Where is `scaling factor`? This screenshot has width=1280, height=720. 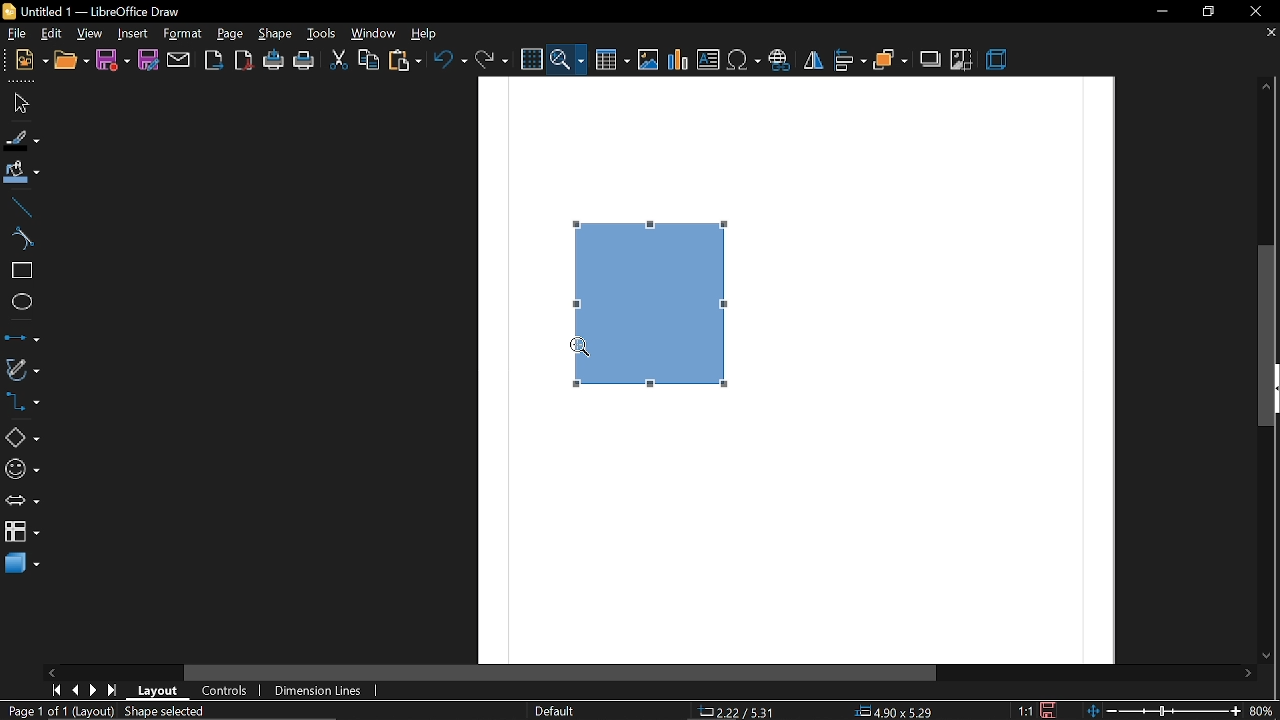
scaling factor is located at coordinates (1027, 709).